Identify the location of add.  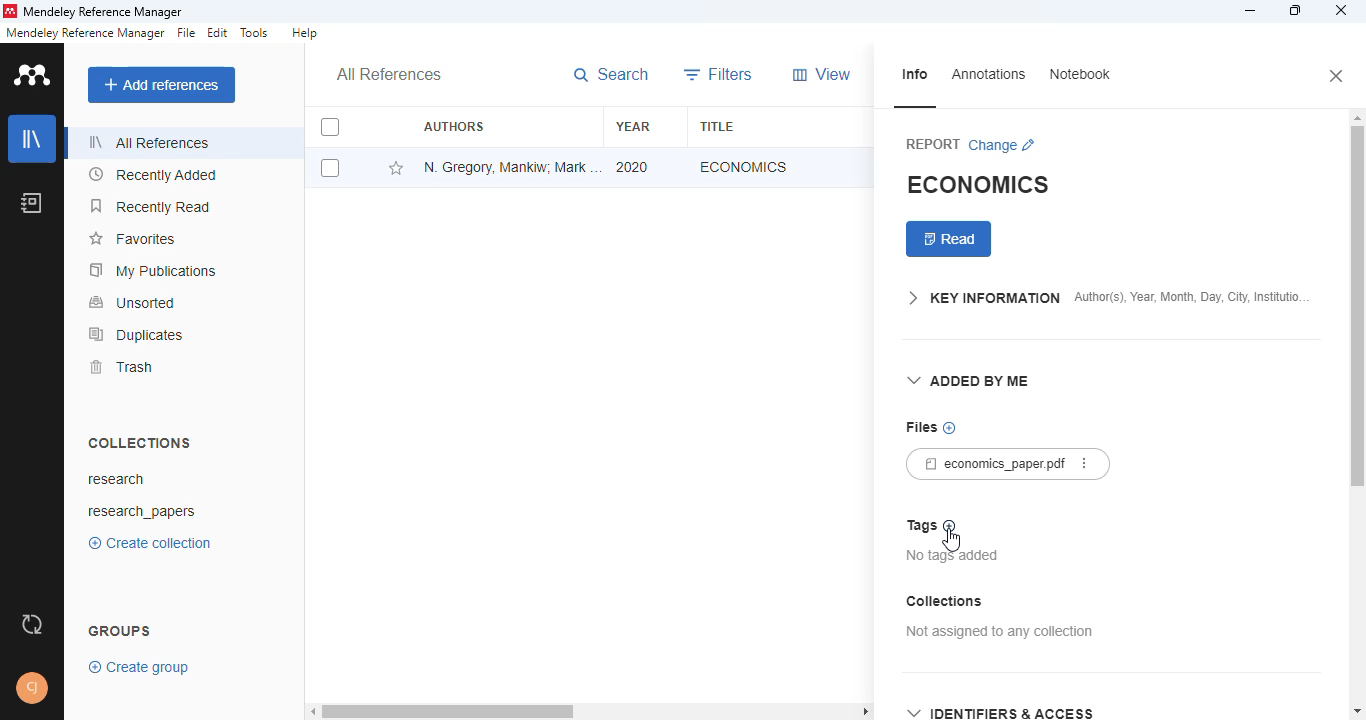
(950, 525).